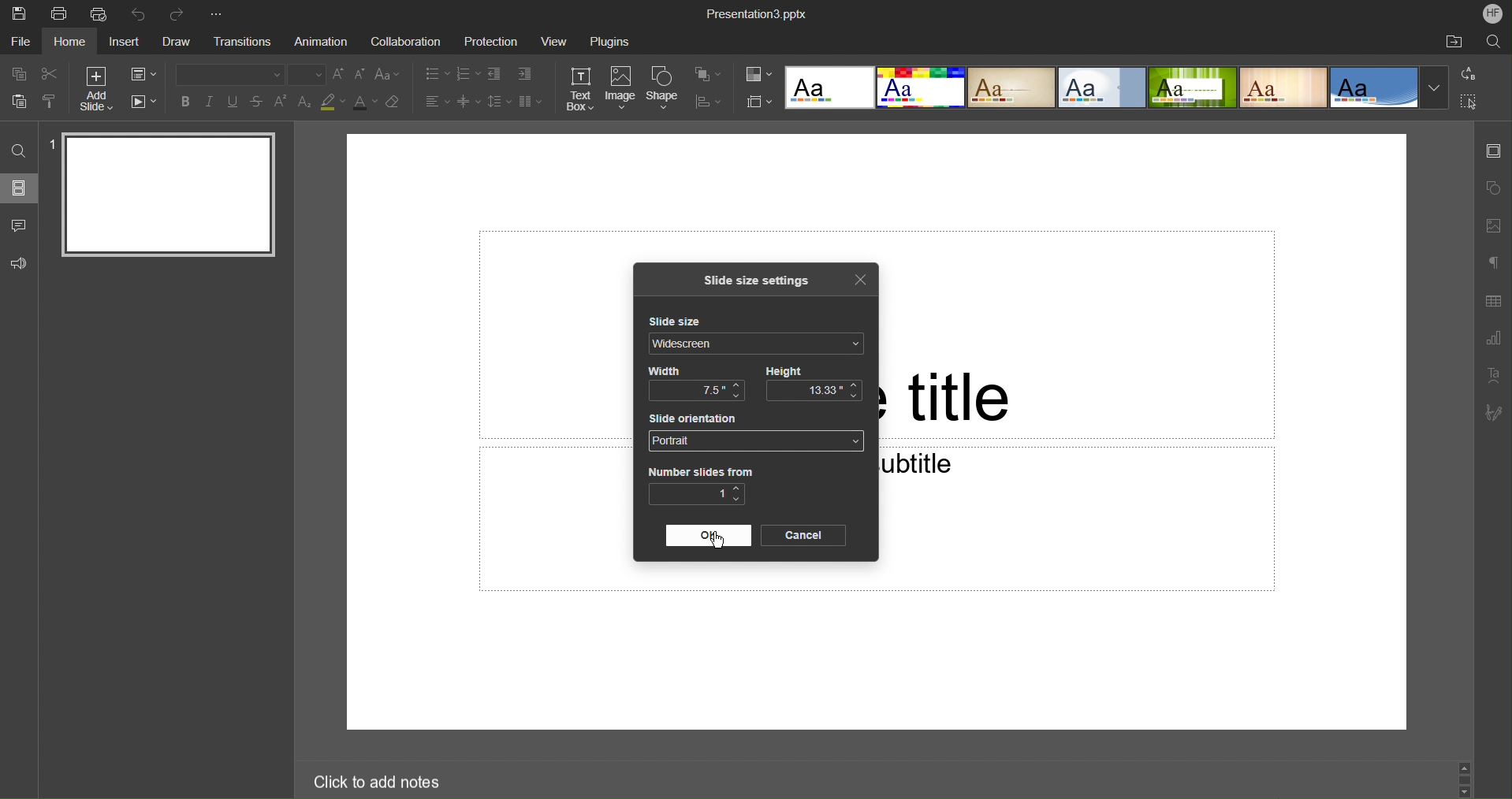  I want to click on Arrange, so click(707, 75).